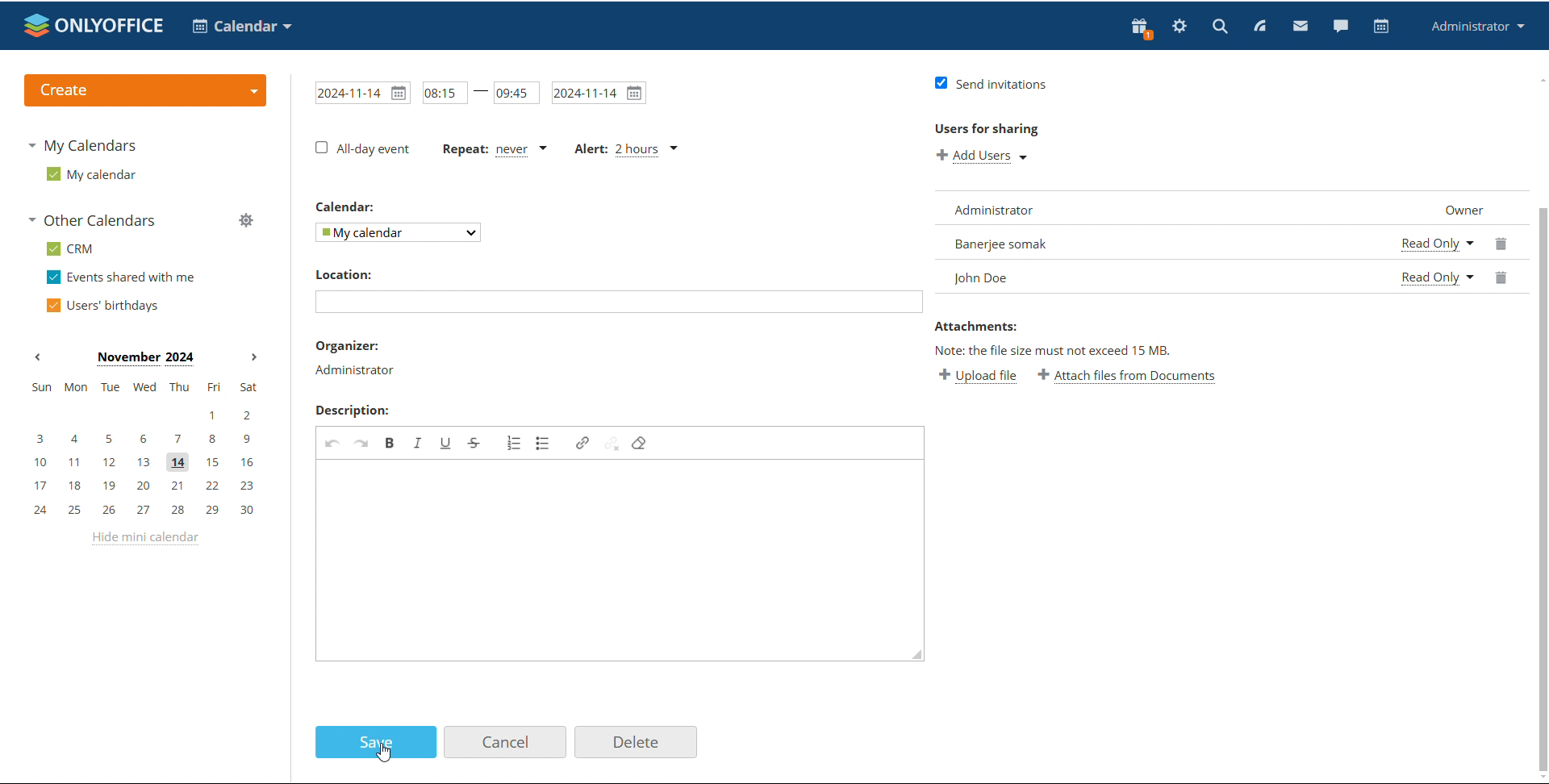  What do you see at coordinates (983, 157) in the screenshot?
I see `add users` at bounding box center [983, 157].